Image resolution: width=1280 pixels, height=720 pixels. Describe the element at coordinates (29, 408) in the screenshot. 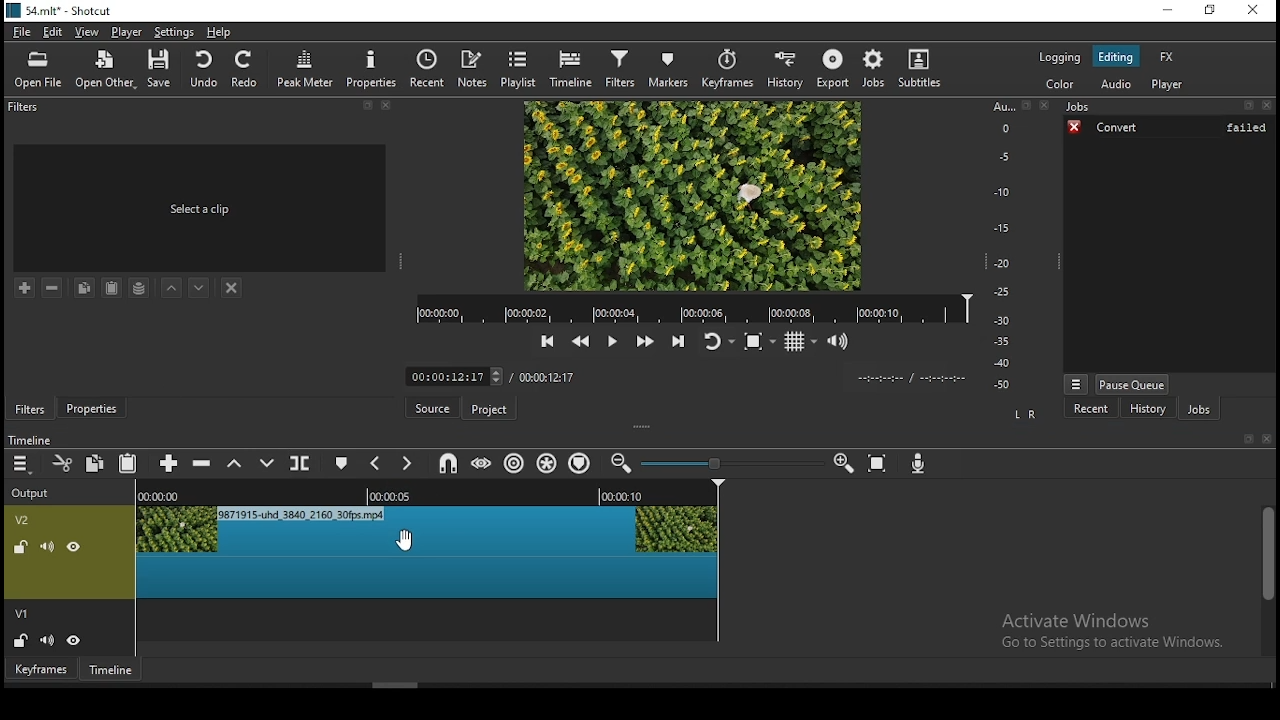

I see `filters` at that location.